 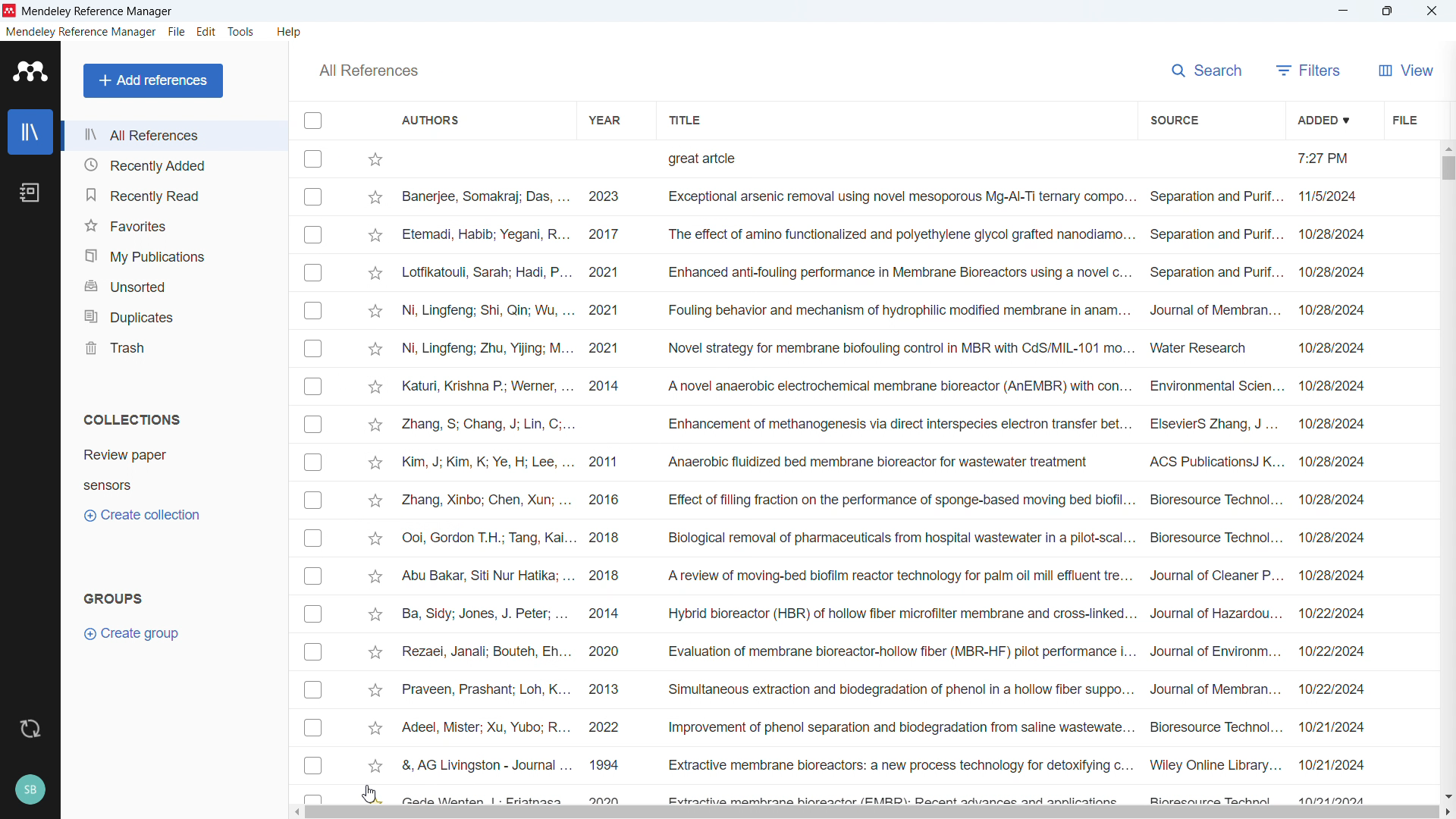 I want to click on Sort by source , so click(x=1174, y=121).